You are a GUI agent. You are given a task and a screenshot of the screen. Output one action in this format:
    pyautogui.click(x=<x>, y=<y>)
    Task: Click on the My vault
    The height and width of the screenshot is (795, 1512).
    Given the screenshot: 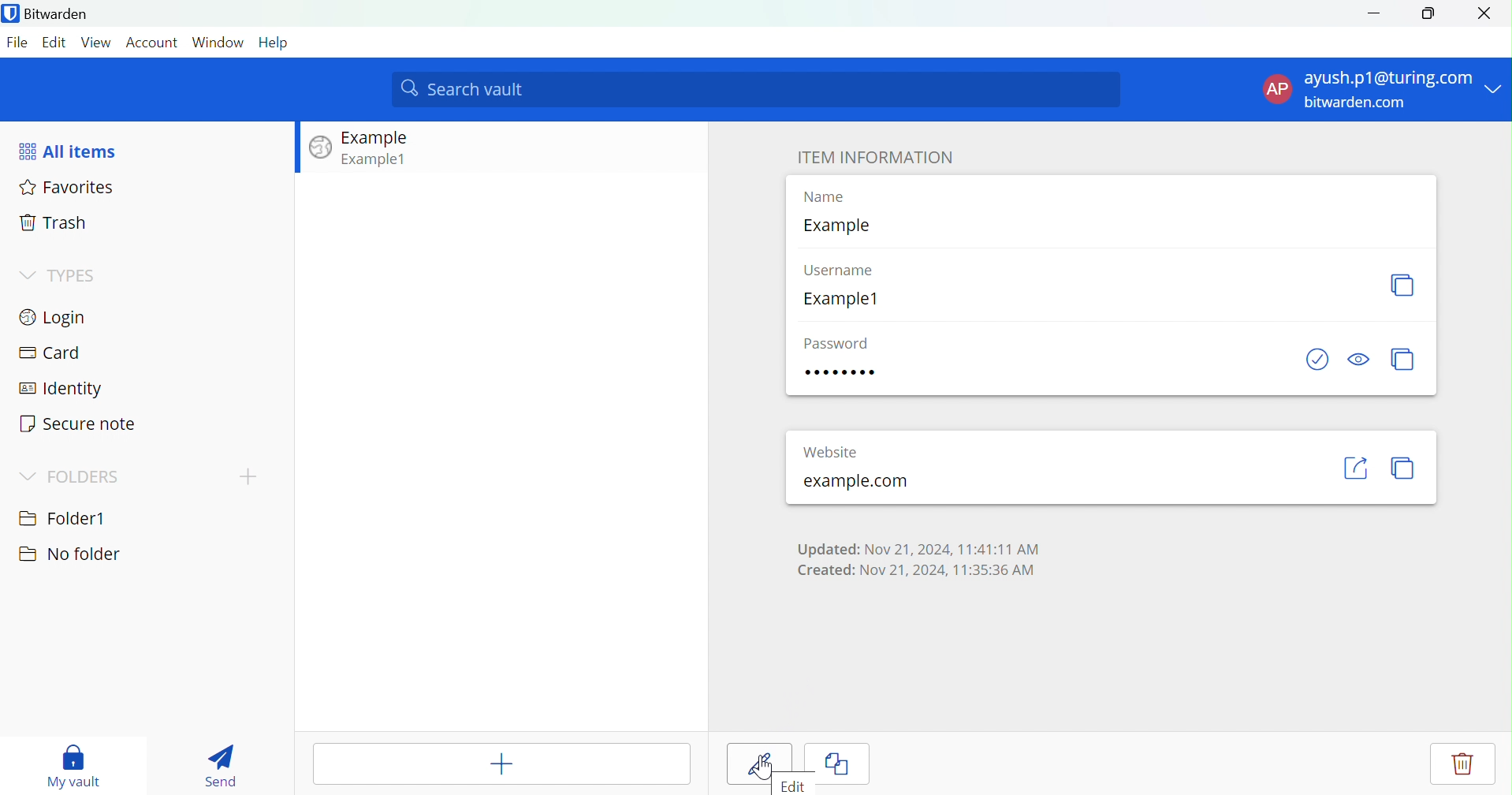 What is the action you would take?
    pyautogui.click(x=74, y=763)
    